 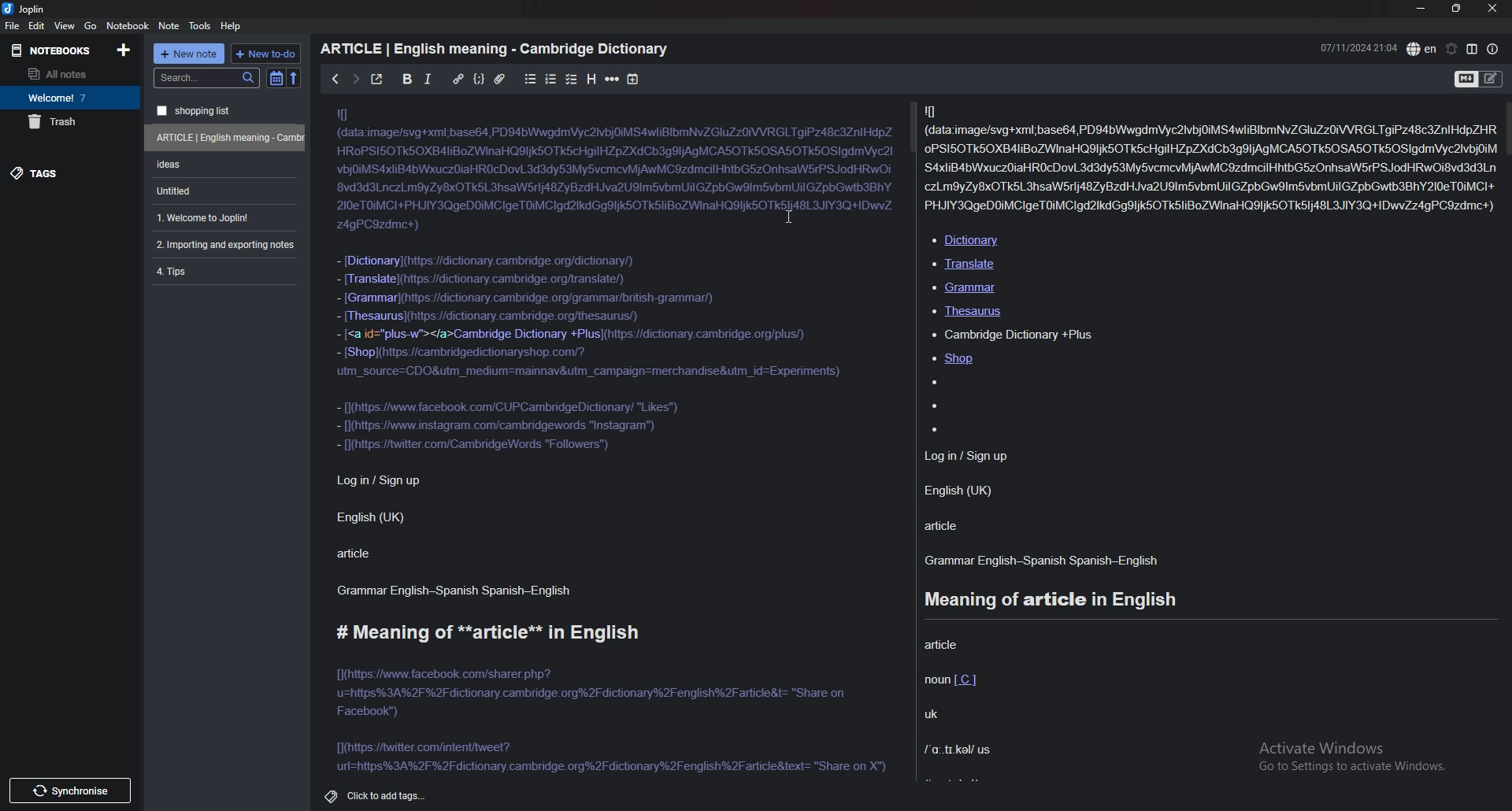 What do you see at coordinates (1457, 9) in the screenshot?
I see `resize` at bounding box center [1457, 9].